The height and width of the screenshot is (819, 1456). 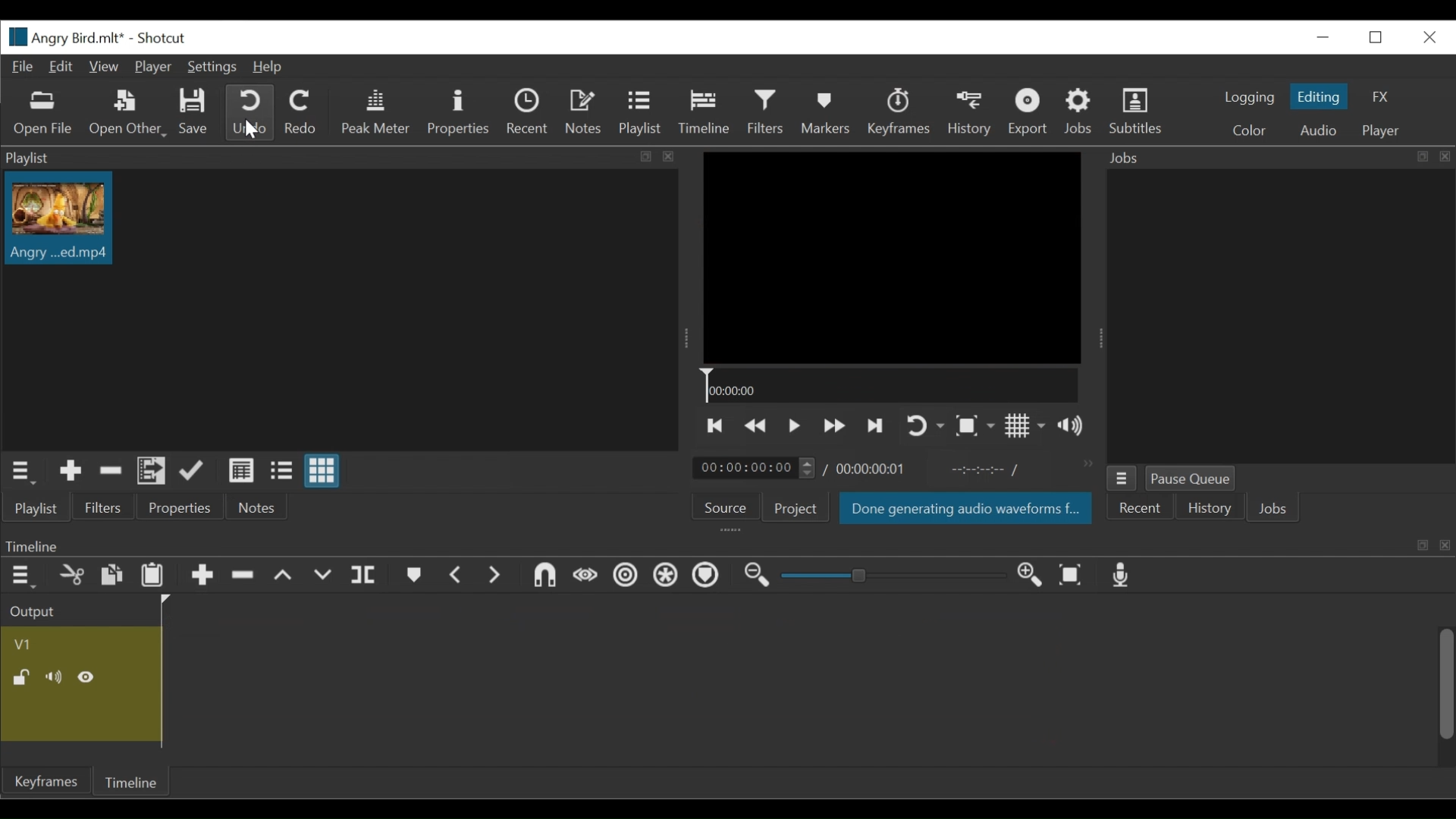 I want to click on scrub wile dragging, so click(x=585, y=575).